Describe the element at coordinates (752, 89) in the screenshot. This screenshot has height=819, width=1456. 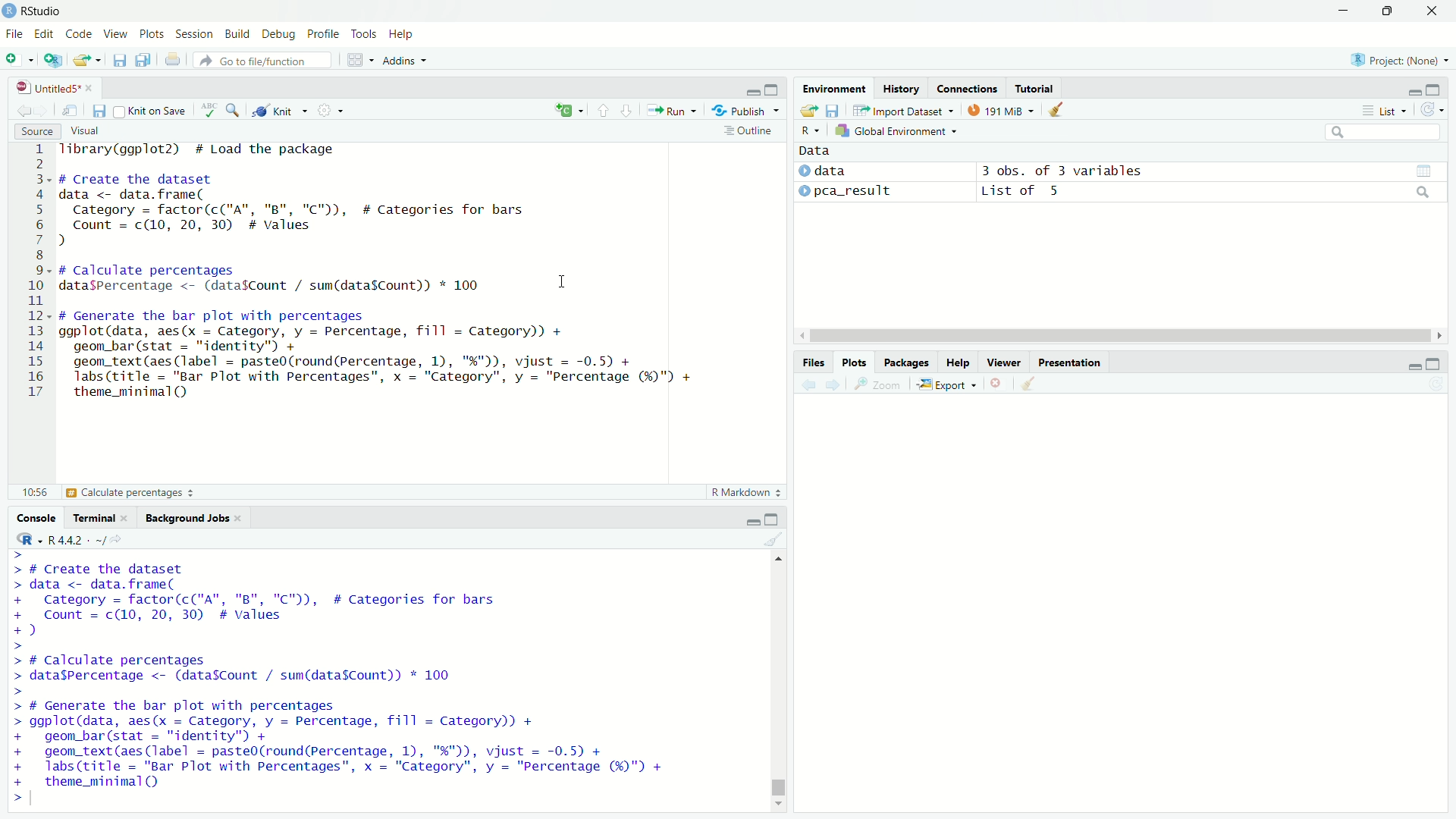
I see `minimize` at that location.